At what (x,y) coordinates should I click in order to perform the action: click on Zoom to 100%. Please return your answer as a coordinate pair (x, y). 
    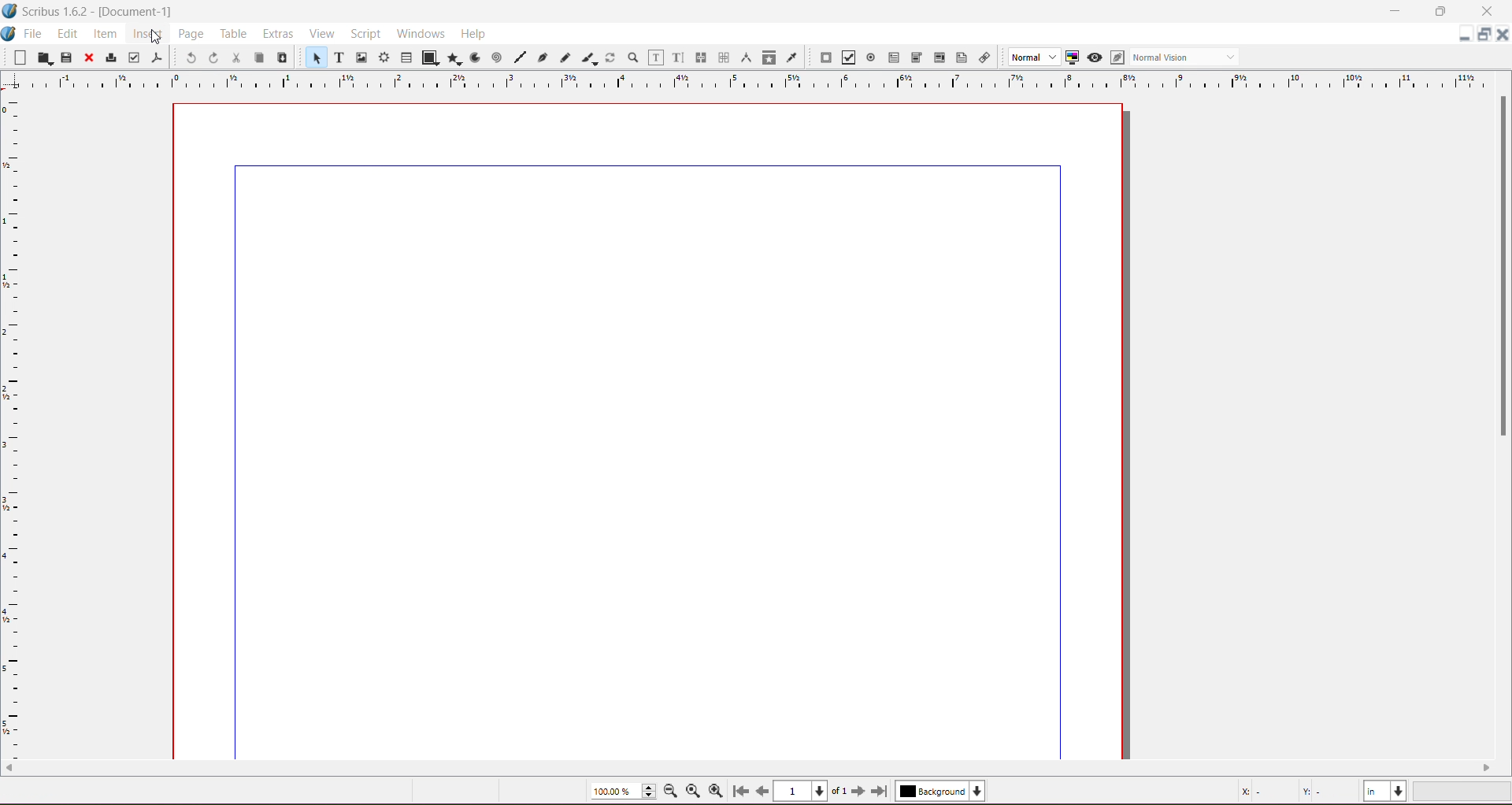
    Looking at the image, I should click on (692, 792).